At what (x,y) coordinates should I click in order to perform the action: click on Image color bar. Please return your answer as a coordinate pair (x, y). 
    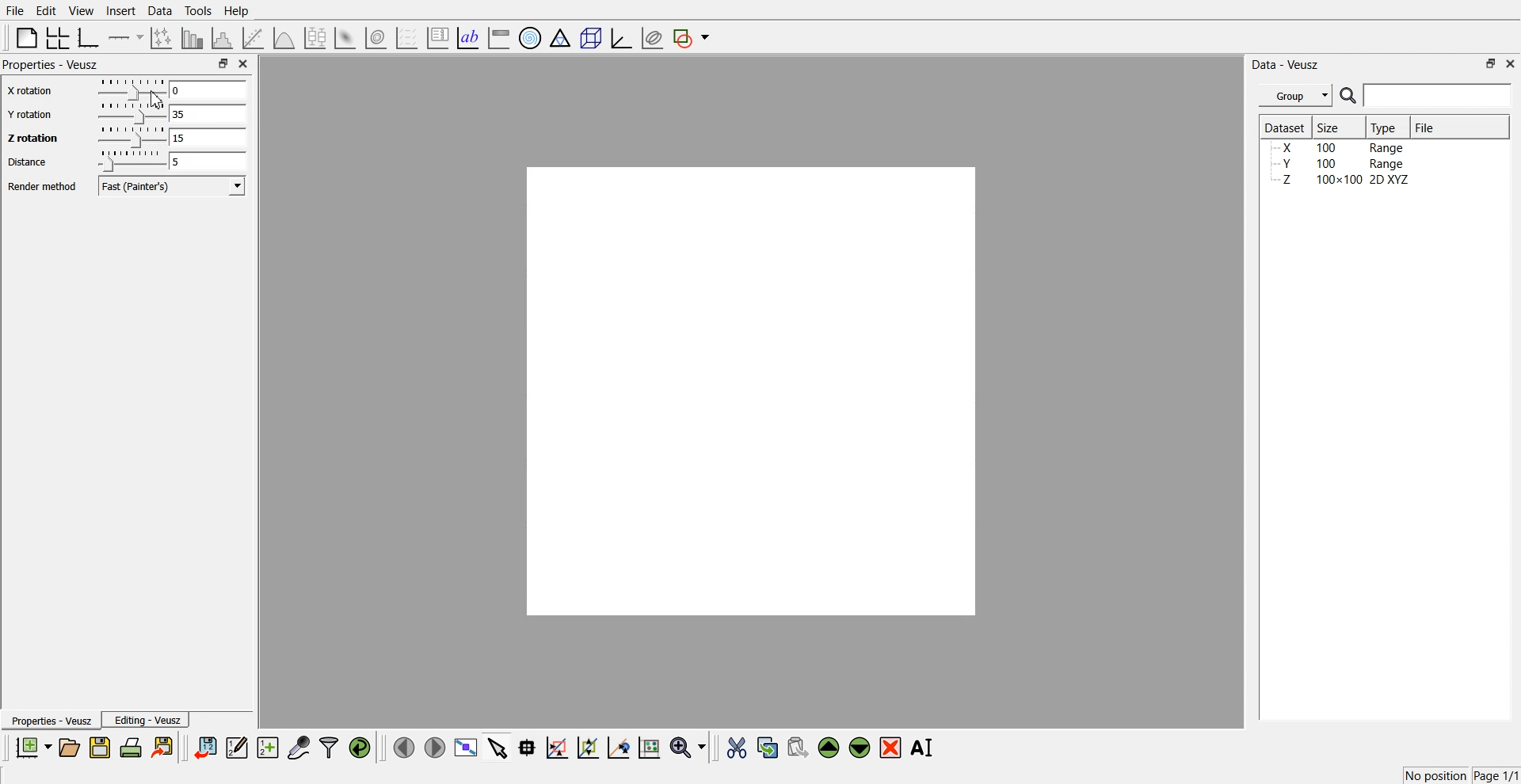
    Looking at the image, I should click on (499, 37).